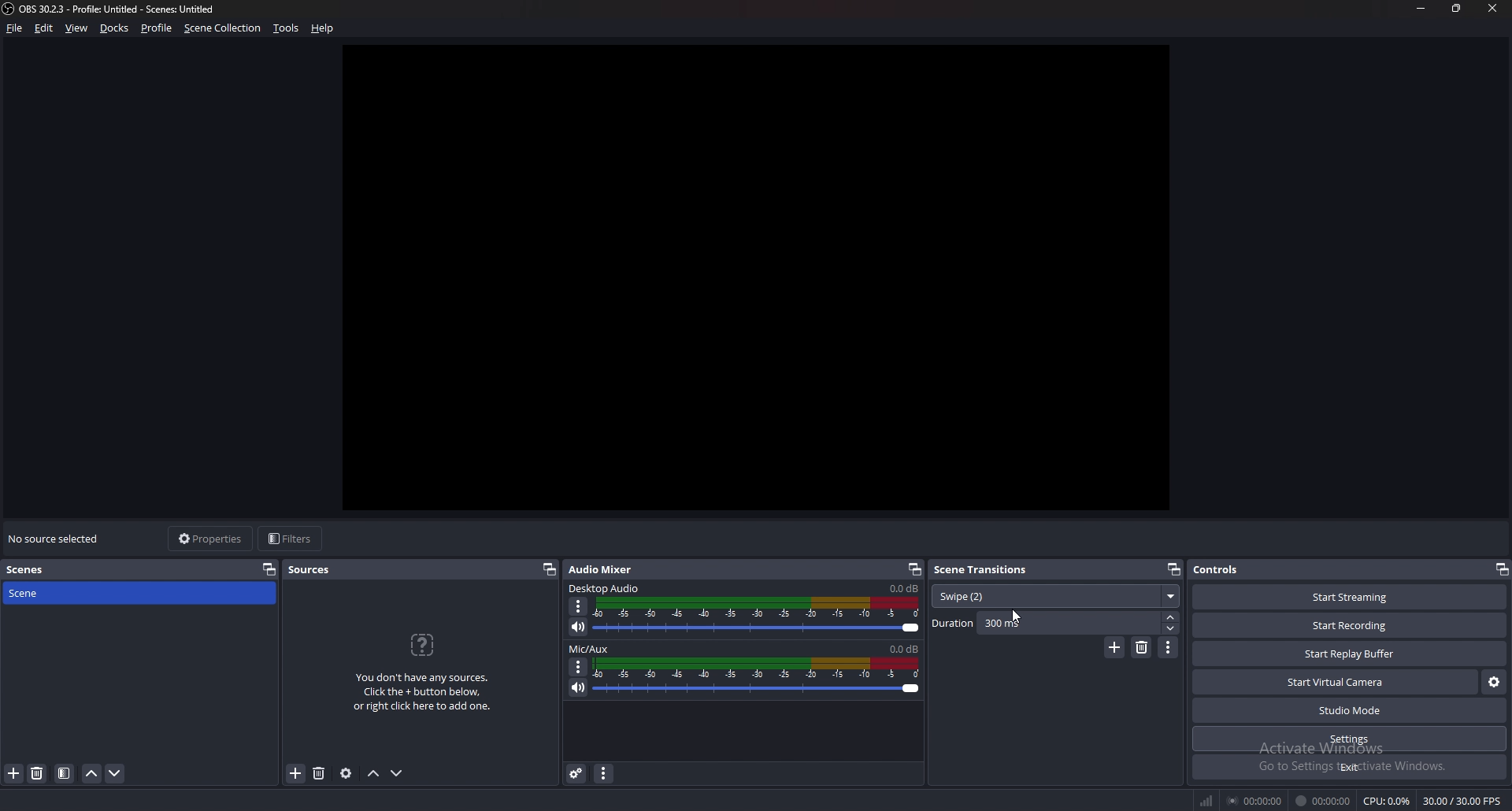 This screenshot has height=811, width=1512. I want to click on studio mode, so click(1350, 711).